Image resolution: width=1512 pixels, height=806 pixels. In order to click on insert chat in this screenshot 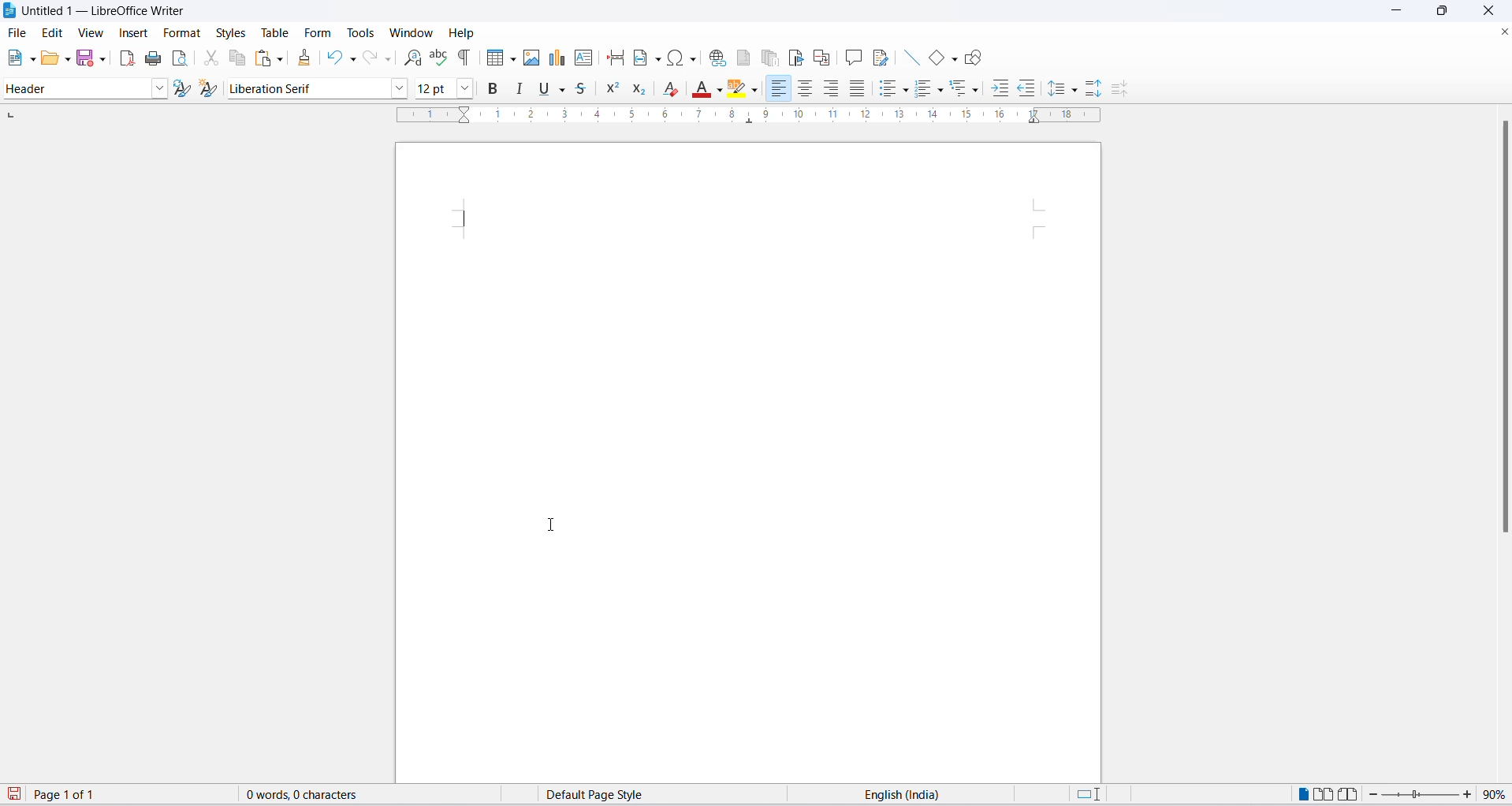, I will do `click(557, 61)`.